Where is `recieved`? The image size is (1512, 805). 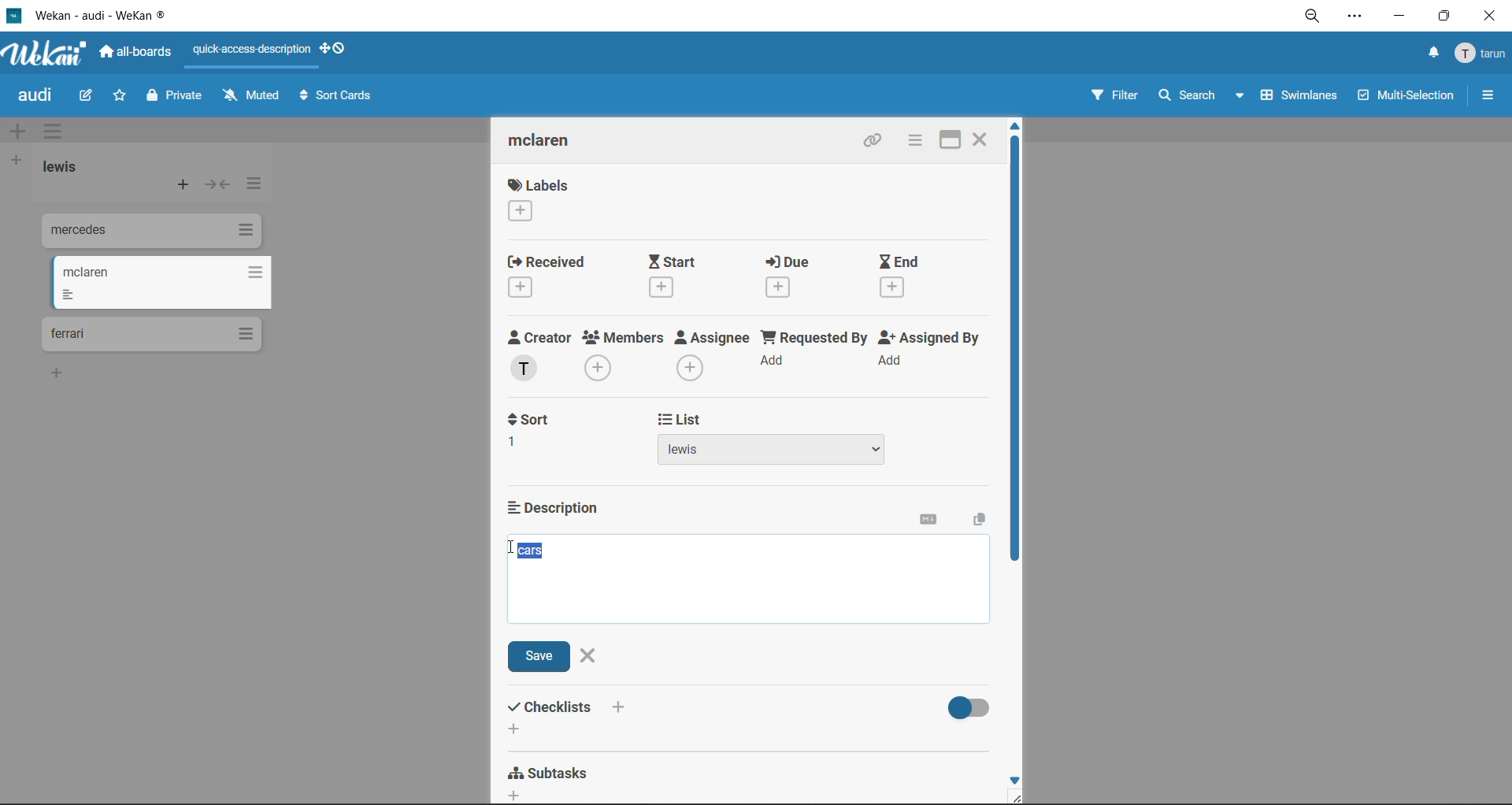
recieved is located at coordinates (552, 276).